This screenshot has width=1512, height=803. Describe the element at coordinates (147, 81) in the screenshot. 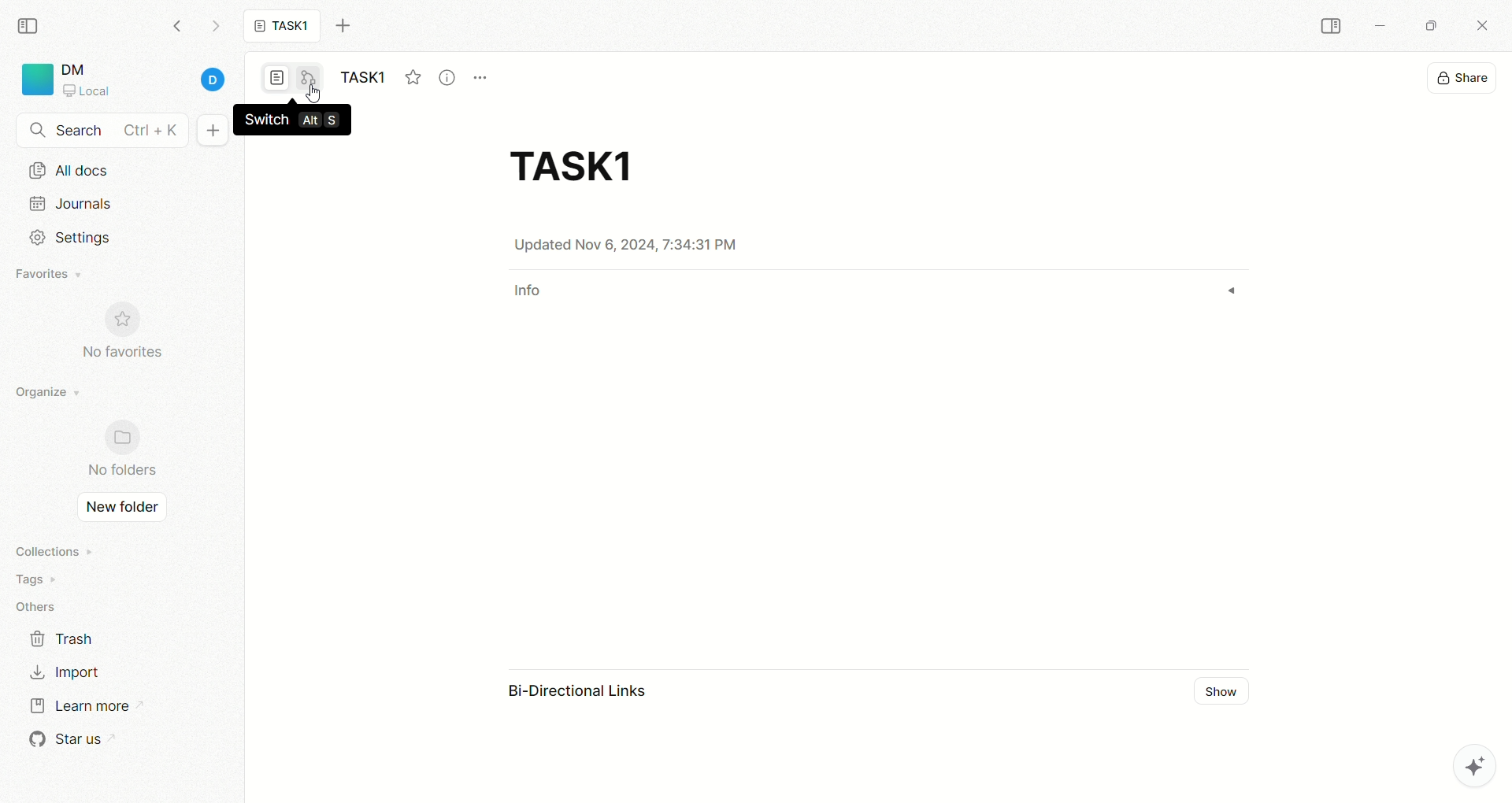

I see `account details` at that location.